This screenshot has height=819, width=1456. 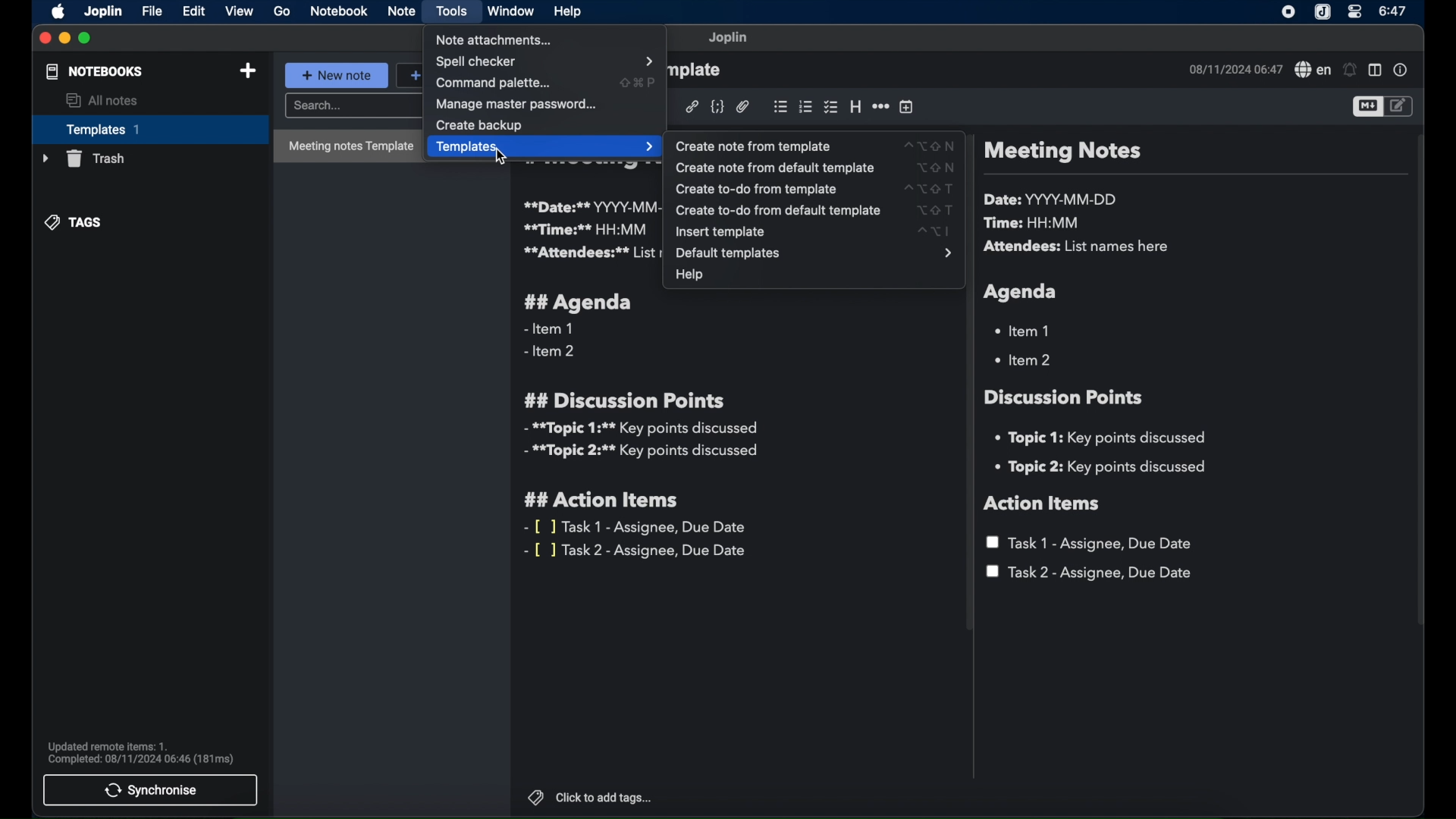 I want to click on Joplin, so click(x=1322, y=12).